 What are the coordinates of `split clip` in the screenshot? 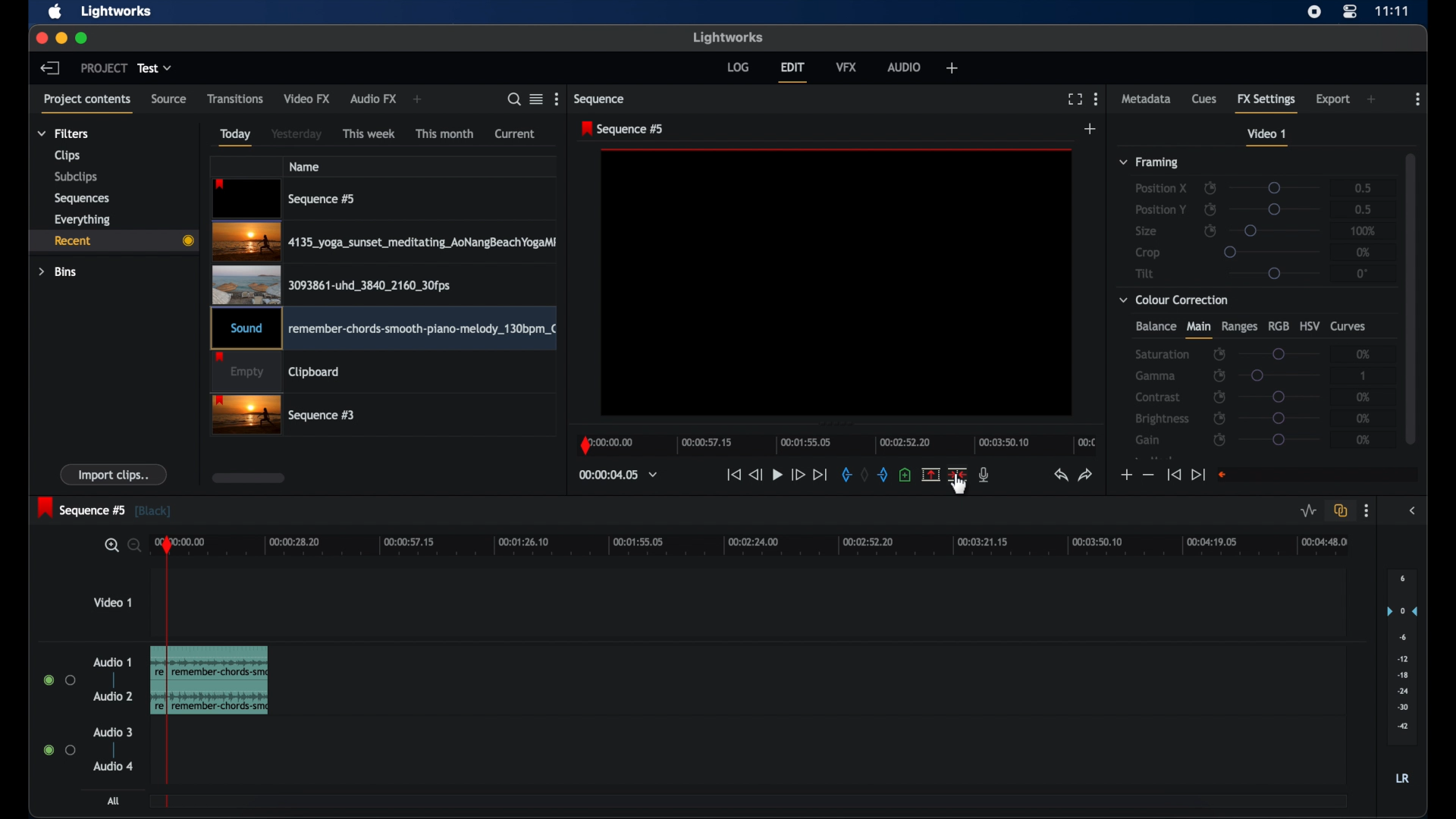 It's located at (212, 680).